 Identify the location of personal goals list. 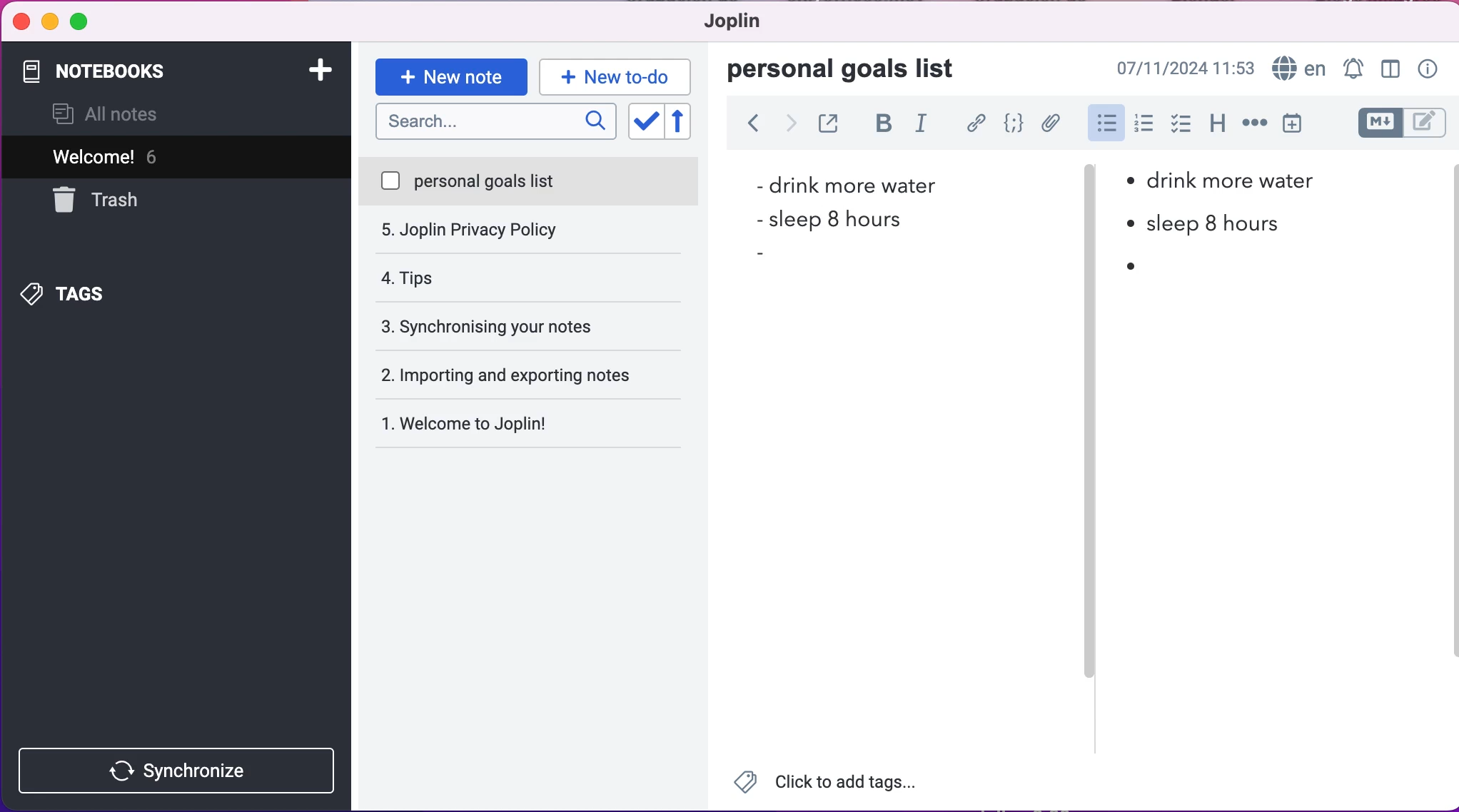
(851, 70).